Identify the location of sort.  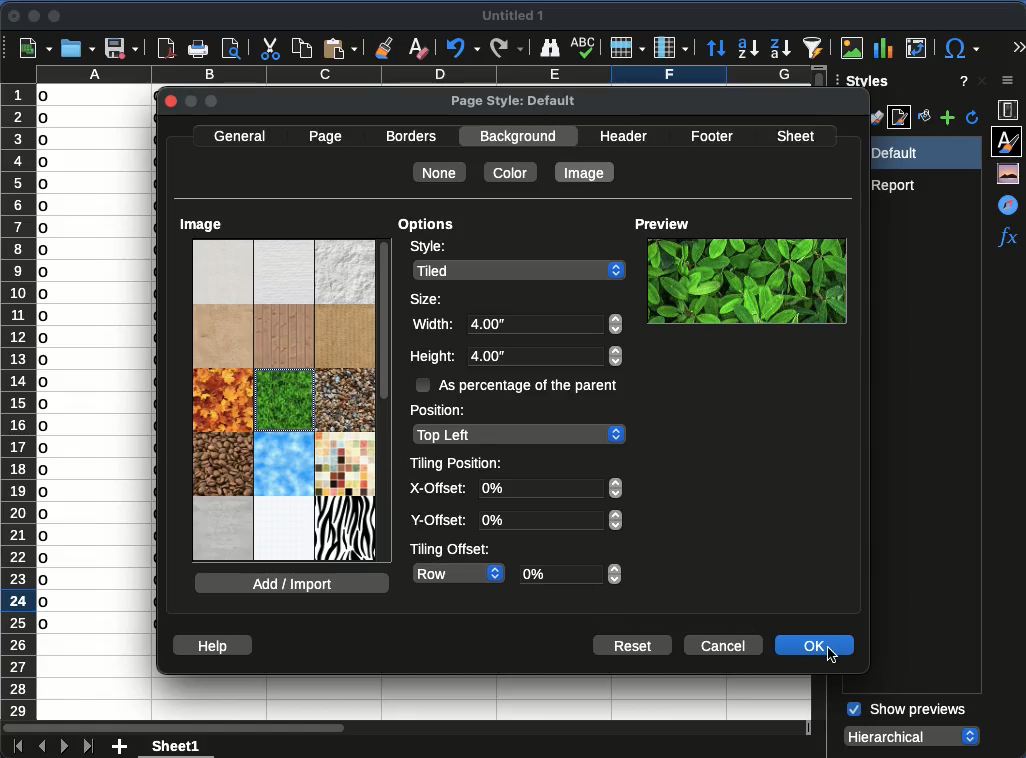
(715, 48).